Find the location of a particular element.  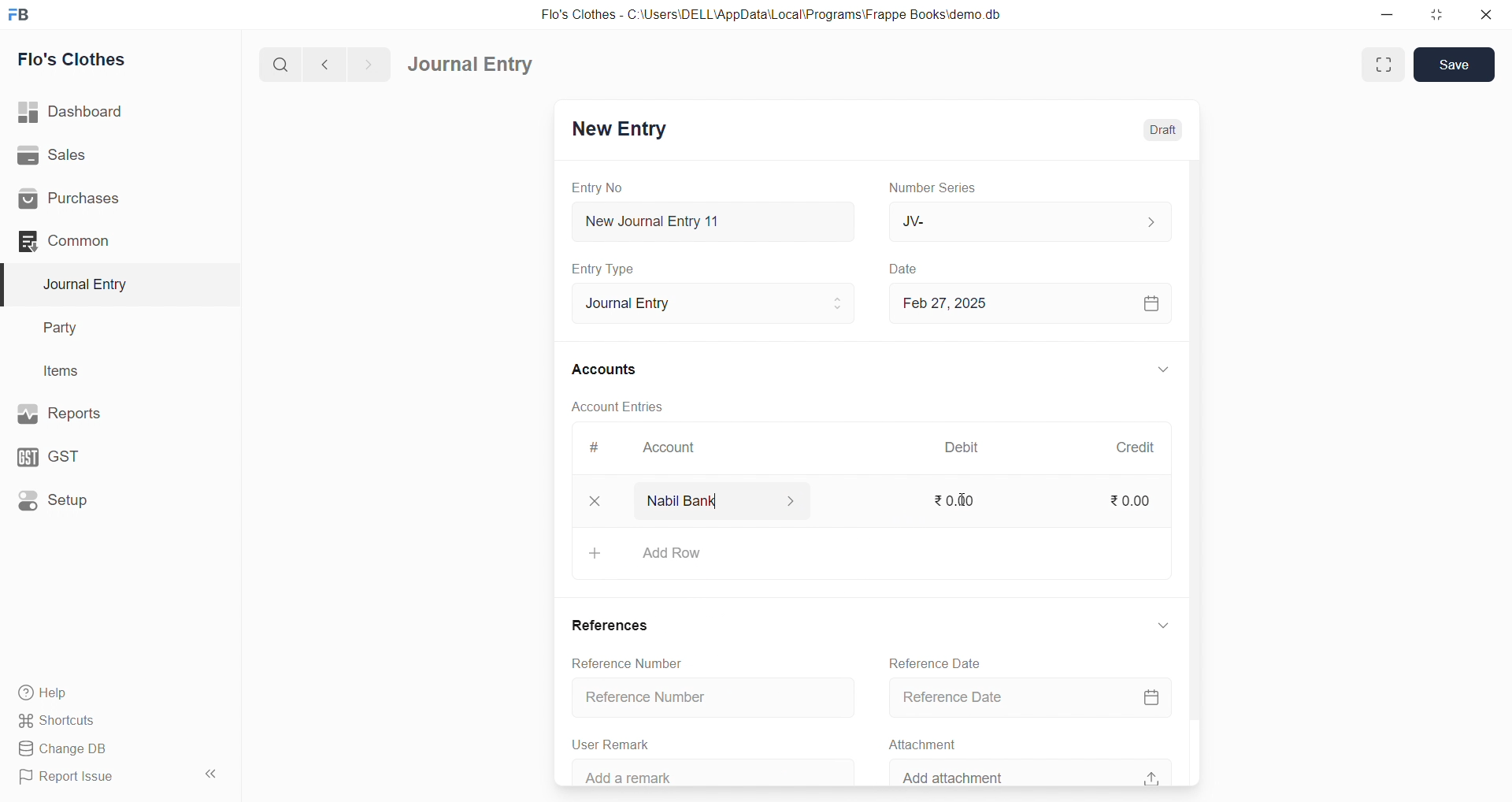

Reference Number is located at coordinates (713, 694).